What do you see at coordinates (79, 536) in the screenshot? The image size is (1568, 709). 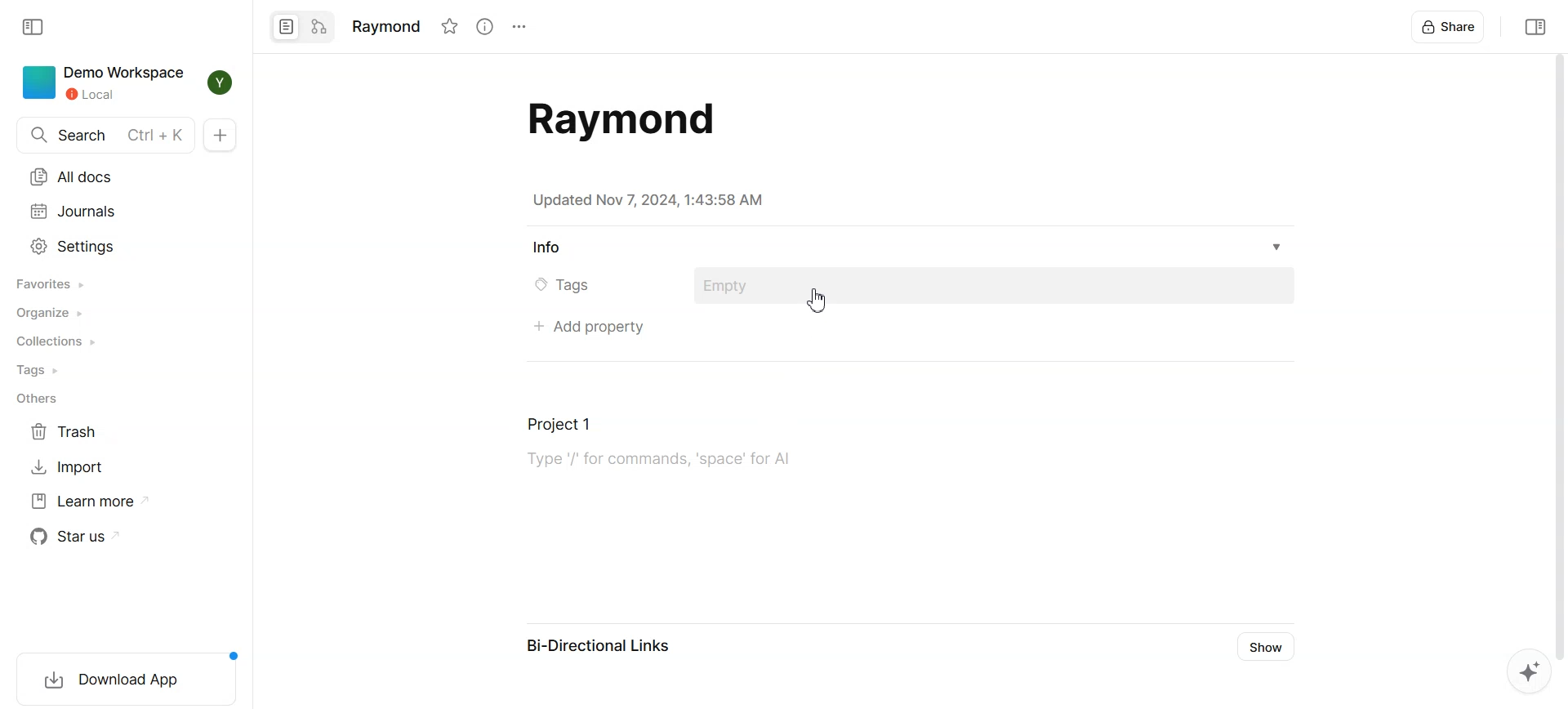 I see `Star us` at bounding box center [79, 536].